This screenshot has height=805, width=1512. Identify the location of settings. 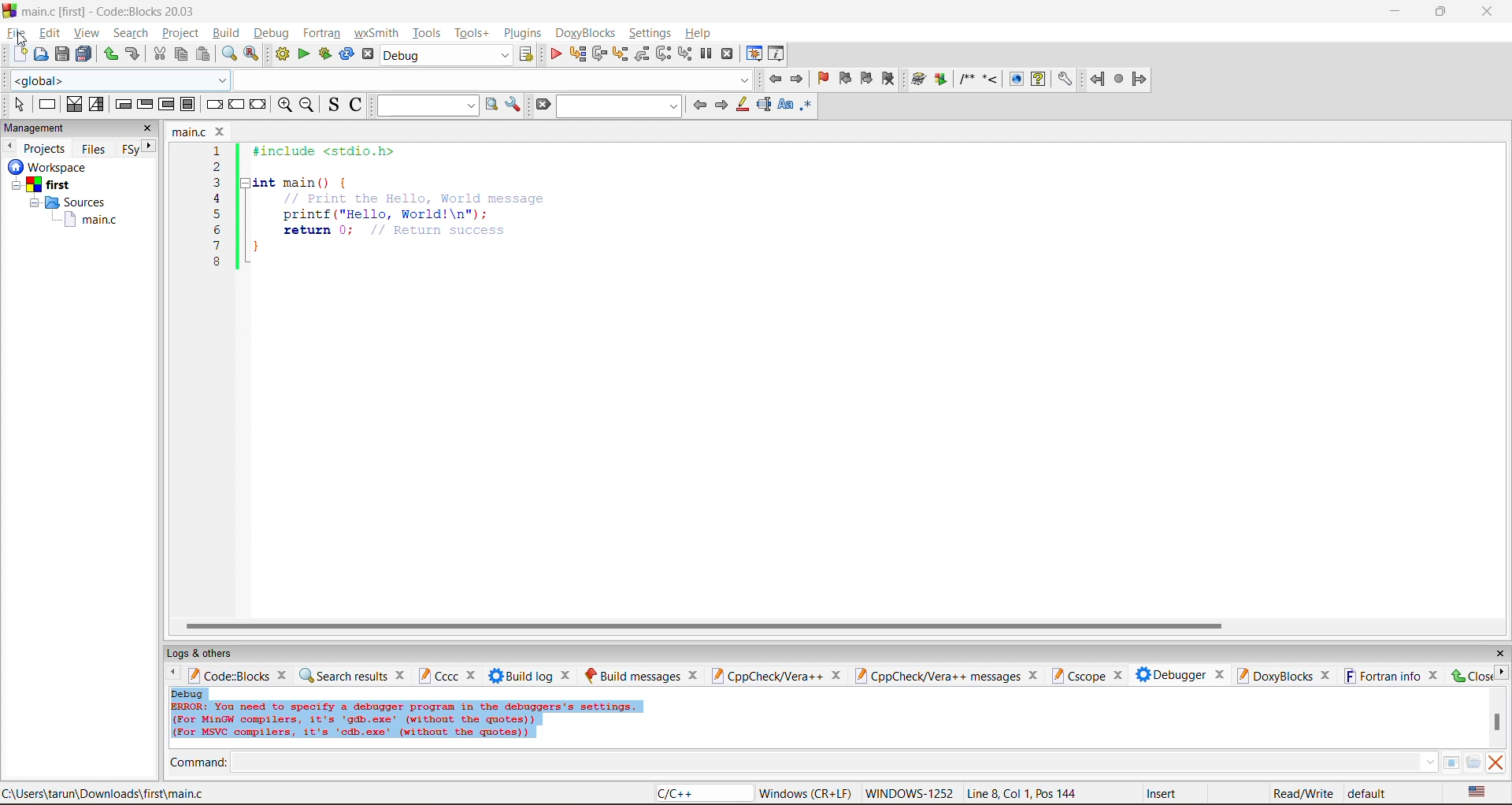
(651, 33).